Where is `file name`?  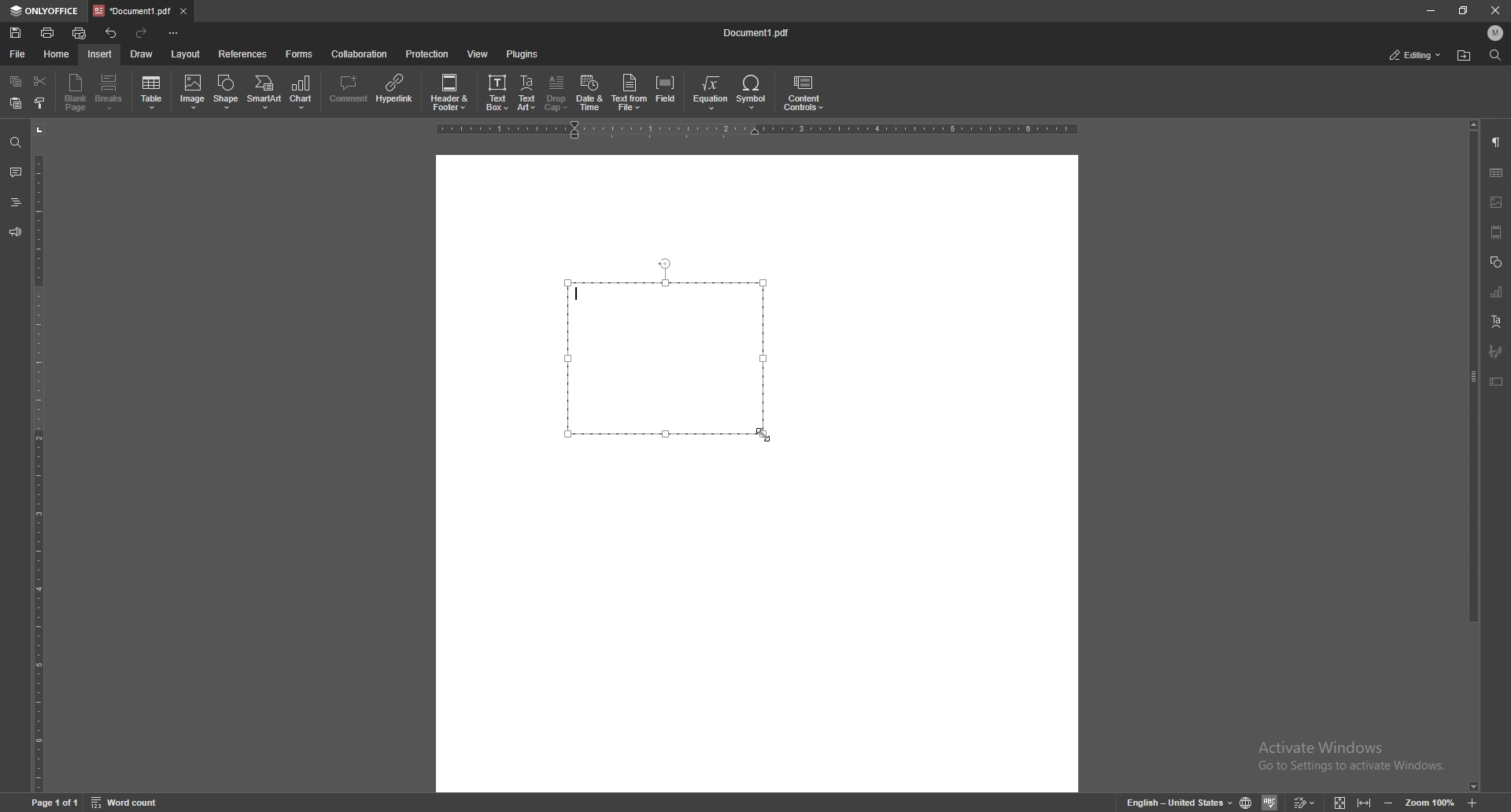 file name is located at coordinates (758, 31).